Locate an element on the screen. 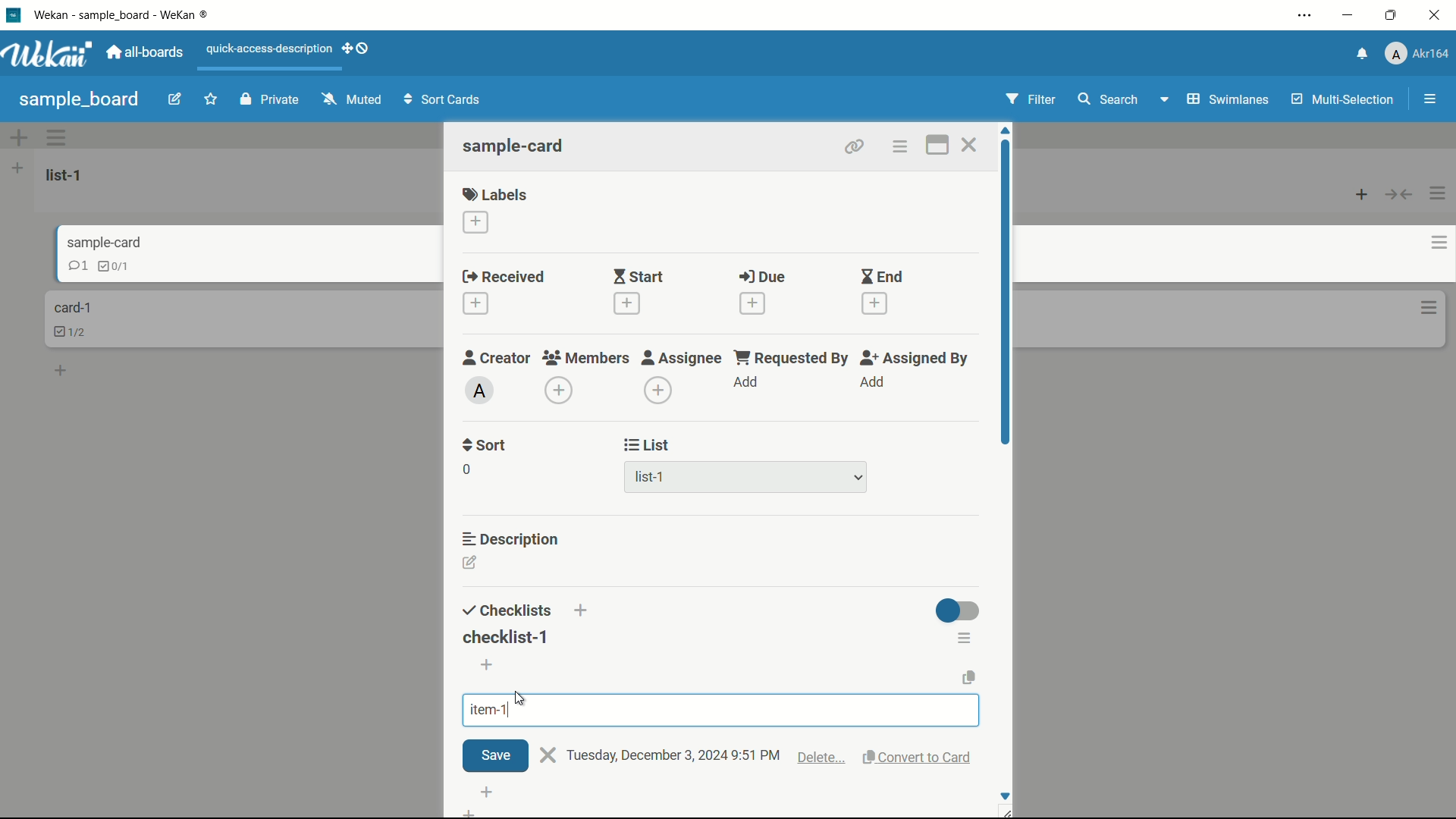 This screenshot has height=819, width=1456. labels is located at coordinates (495, 193).